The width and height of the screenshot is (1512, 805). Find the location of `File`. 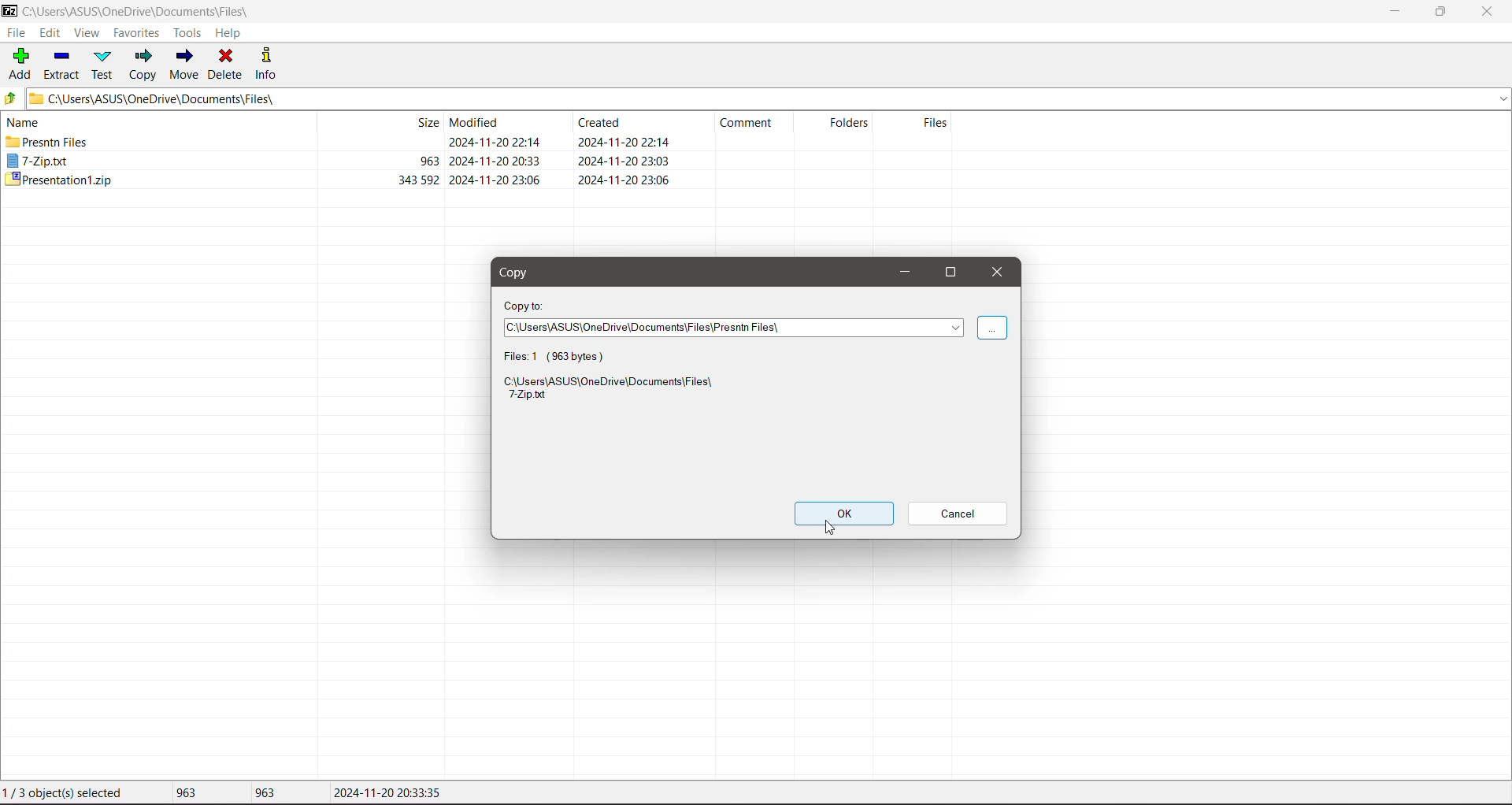

File is located at coordinates (15, 32).